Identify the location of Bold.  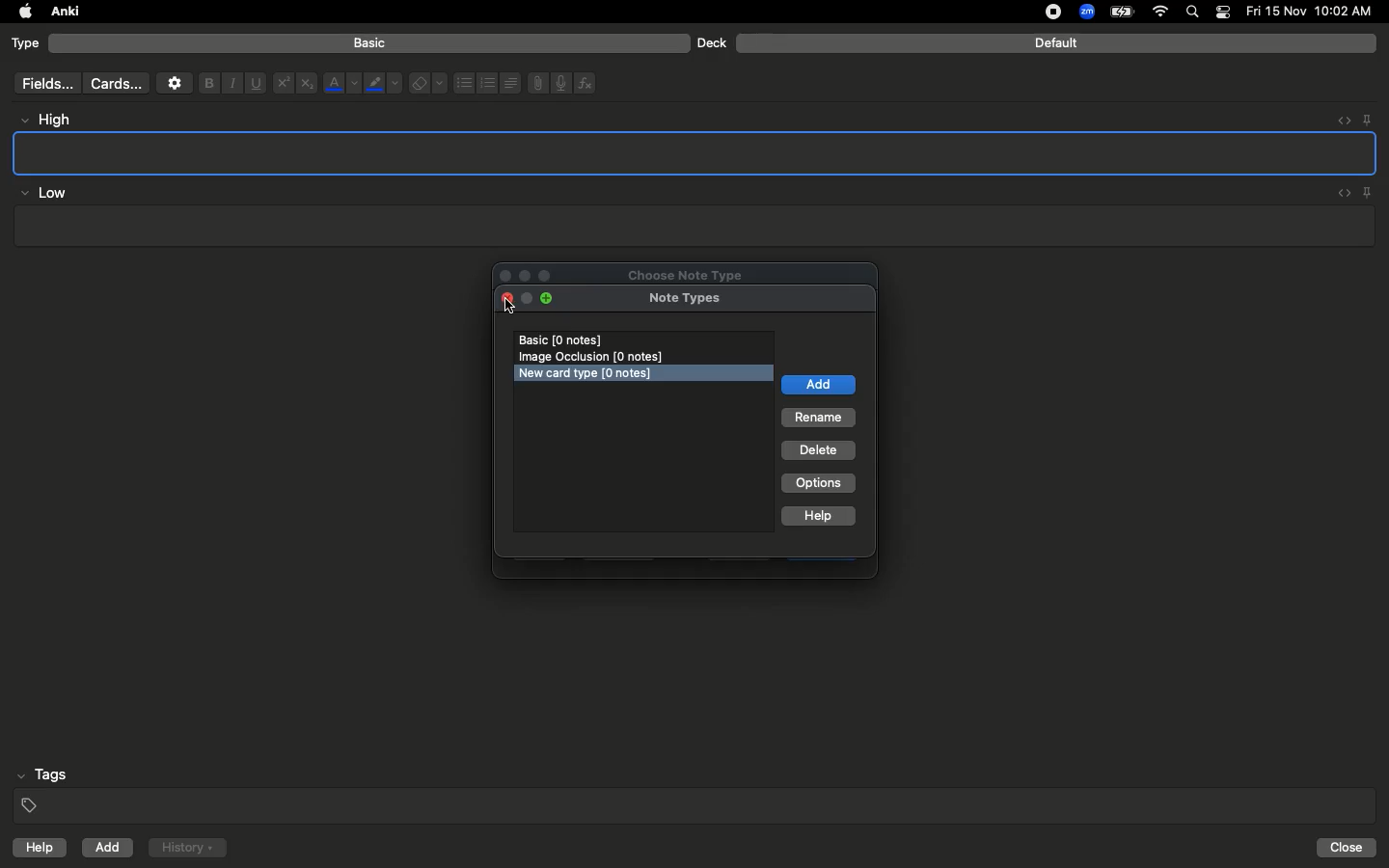
(207, 82).